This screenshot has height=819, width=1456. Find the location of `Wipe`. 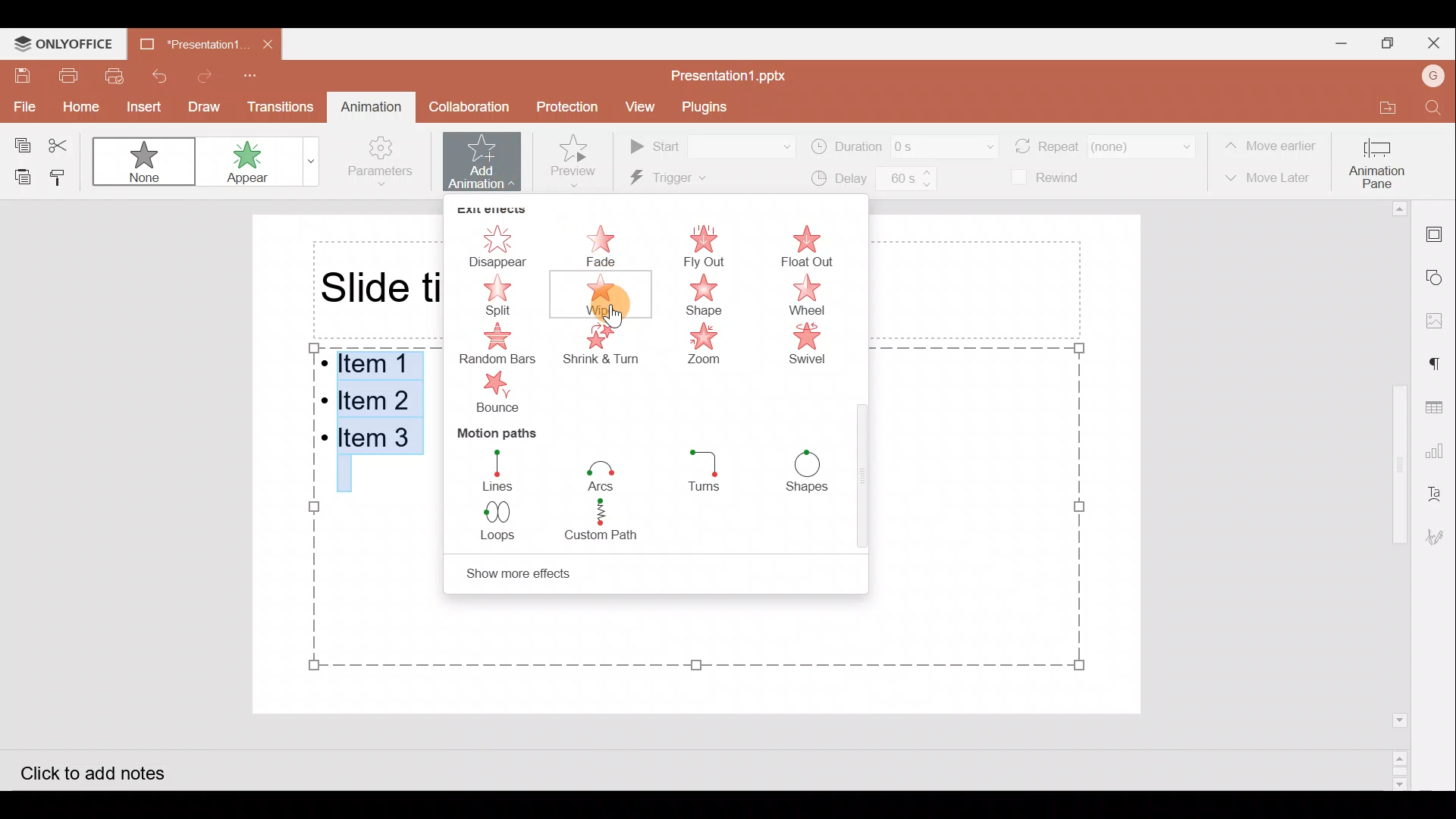

Wipe is located at coordinates (604, 297).